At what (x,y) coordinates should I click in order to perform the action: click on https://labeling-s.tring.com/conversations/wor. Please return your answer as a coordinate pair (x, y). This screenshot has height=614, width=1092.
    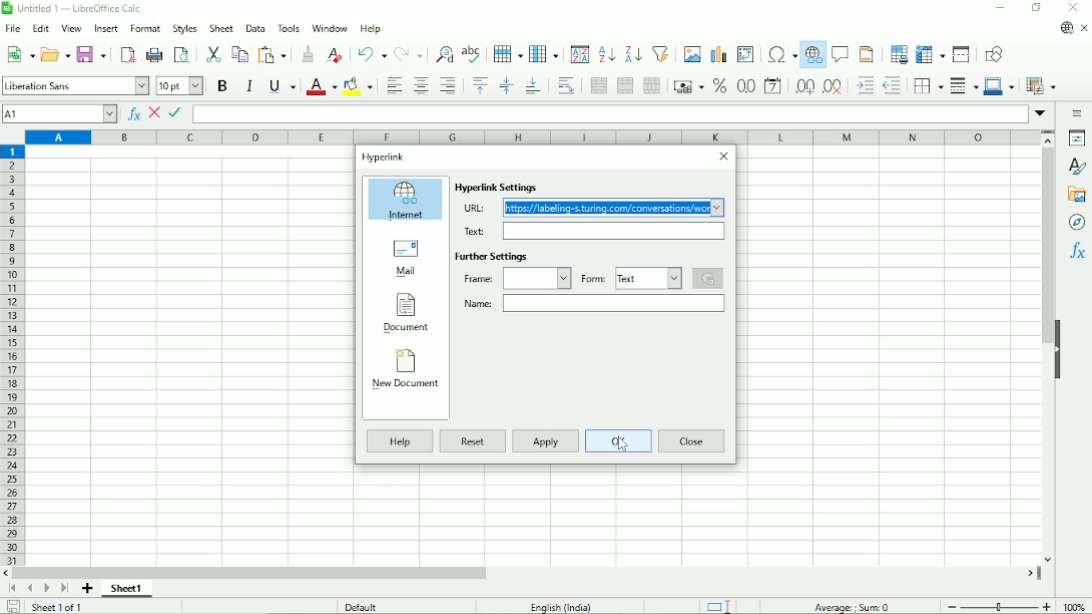
    Looking at the image, I should click on (612, 208).